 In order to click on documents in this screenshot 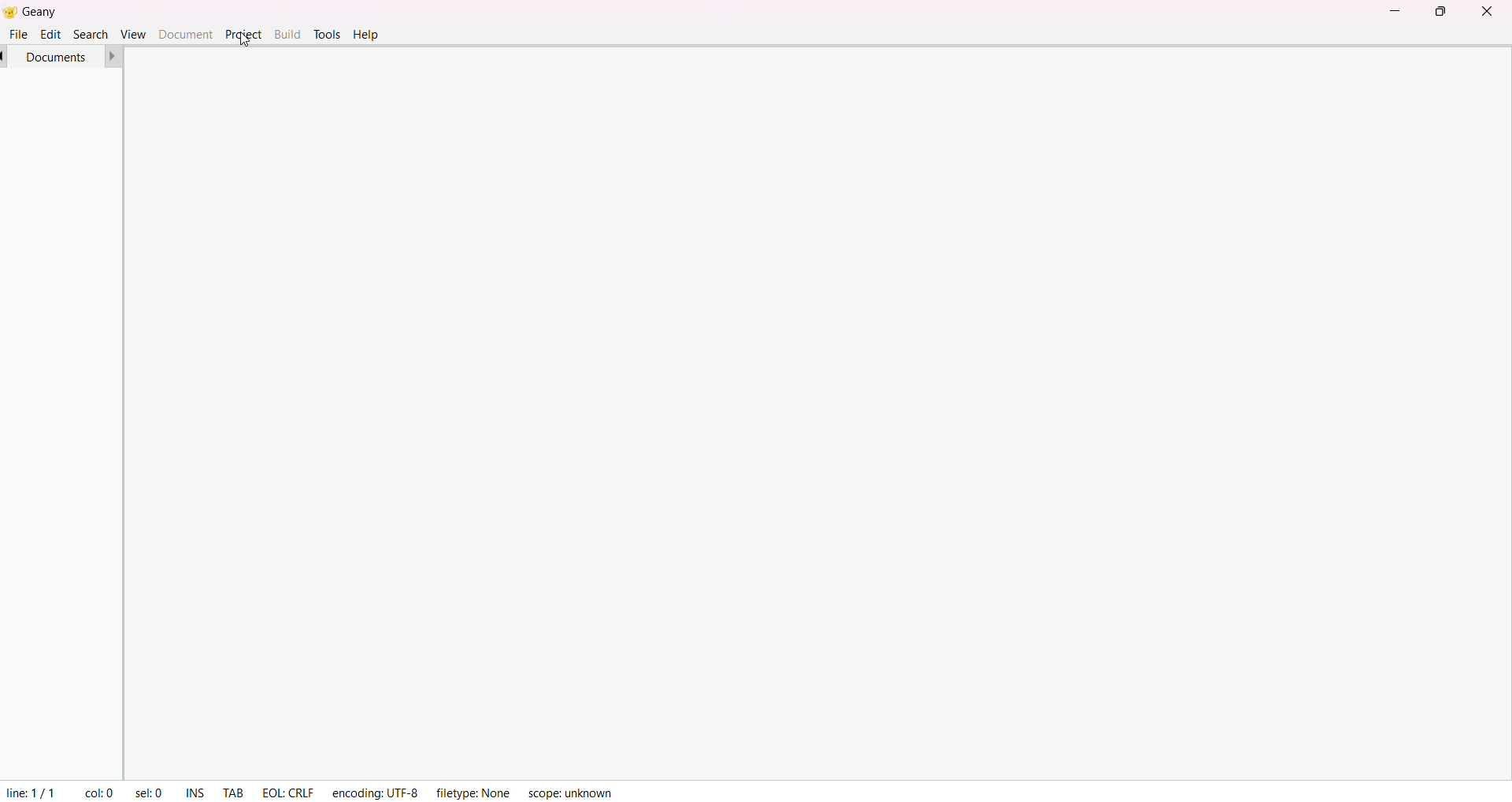, I will do `click(57, 56)`.